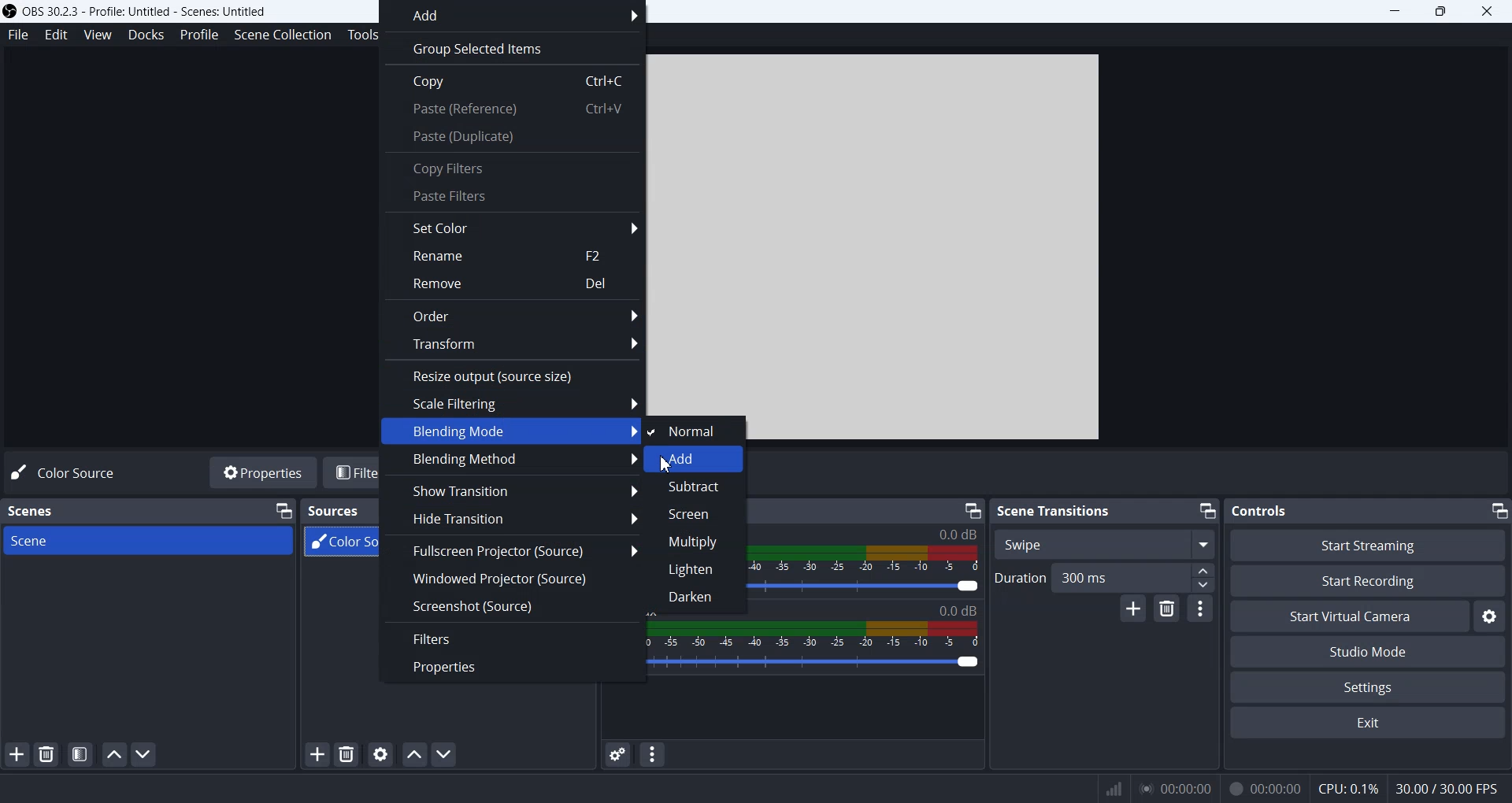 The height and width of the screenshot is (803, 1512). I want to click on 00:00:00, so click(1173, 787).